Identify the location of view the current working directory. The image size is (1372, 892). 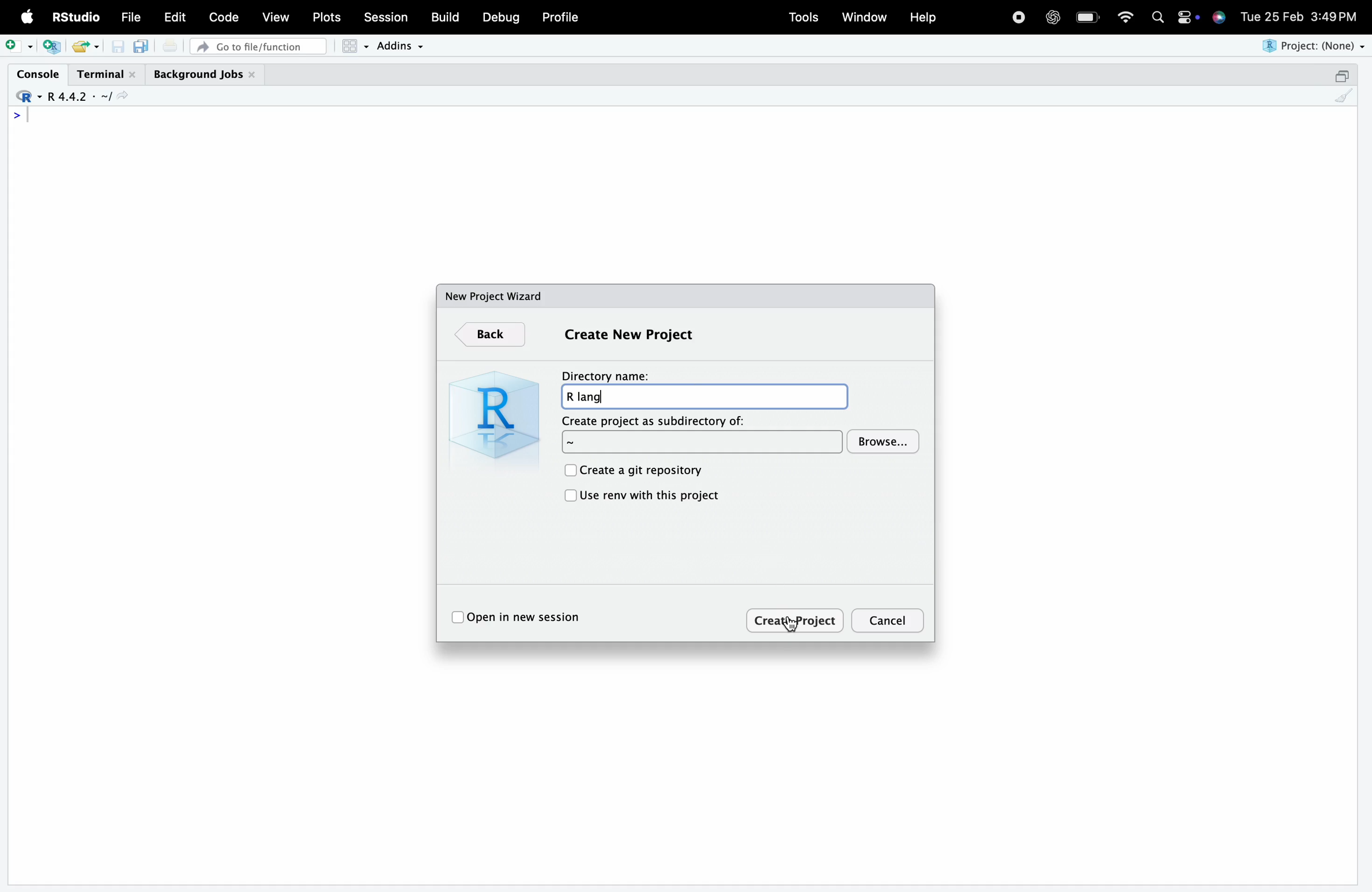
(122, 96).